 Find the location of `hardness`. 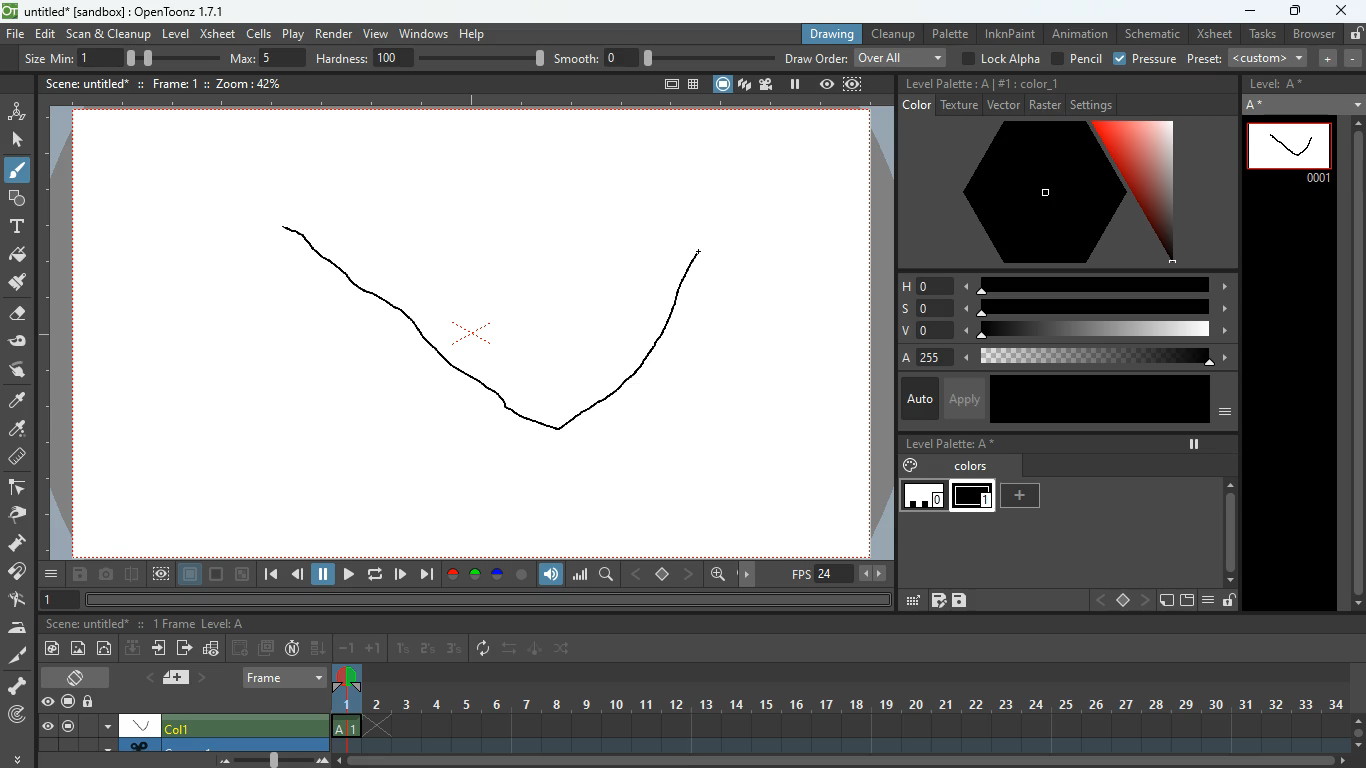

hardness is located at coordinates (430, 58).